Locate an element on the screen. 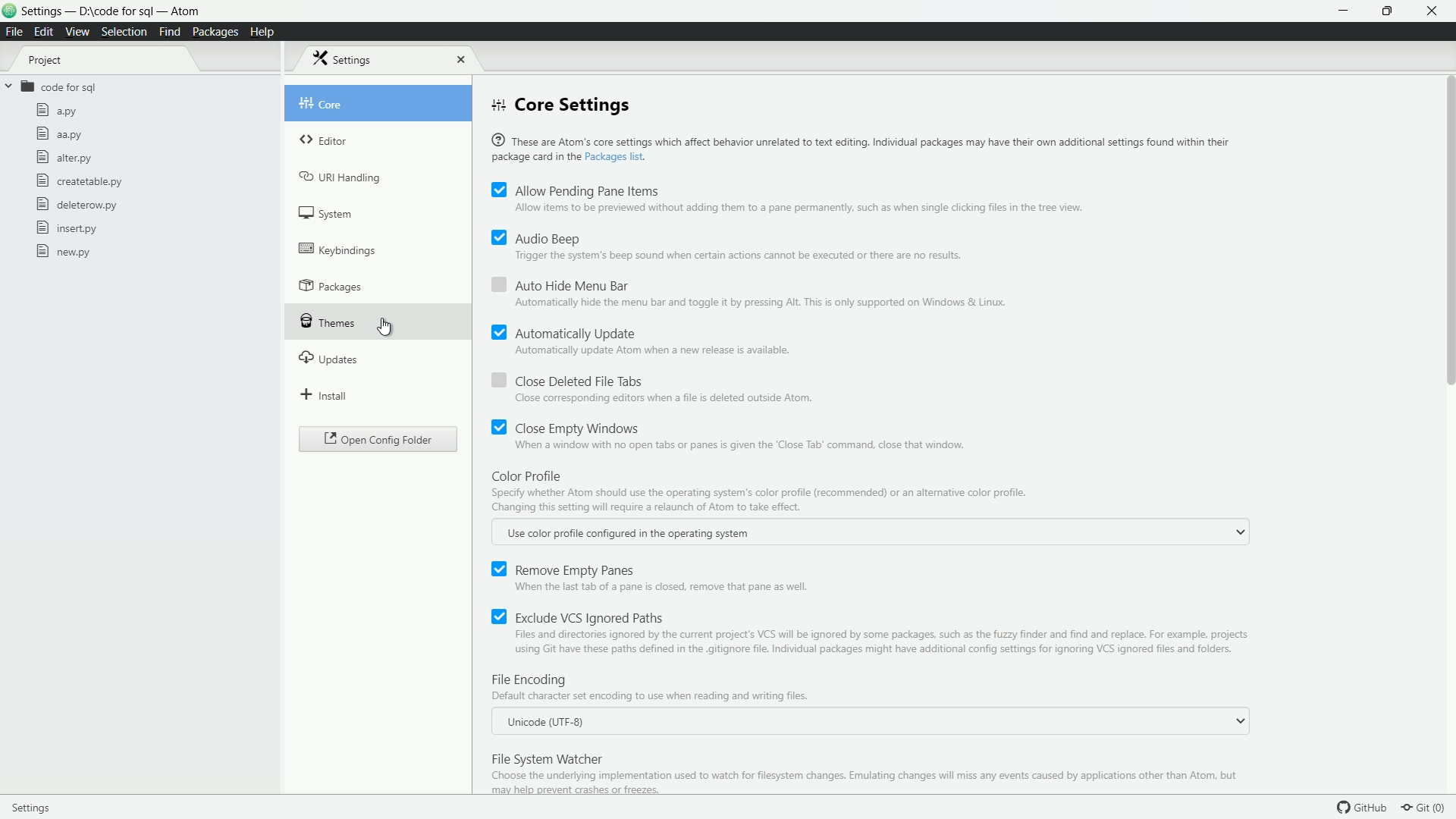  view menu is located at coordinates (76, 32).